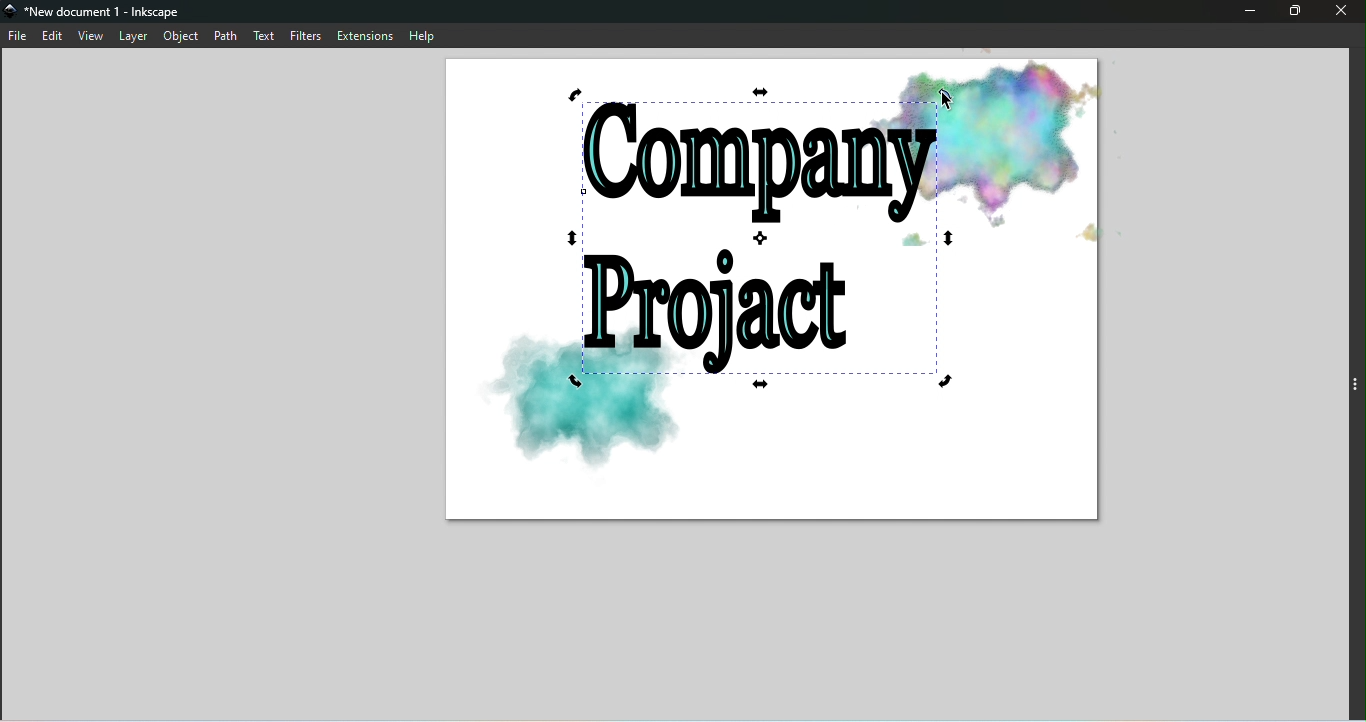 The image size is (1366, 722). I want to click on Maximize, so click(1294, 11).